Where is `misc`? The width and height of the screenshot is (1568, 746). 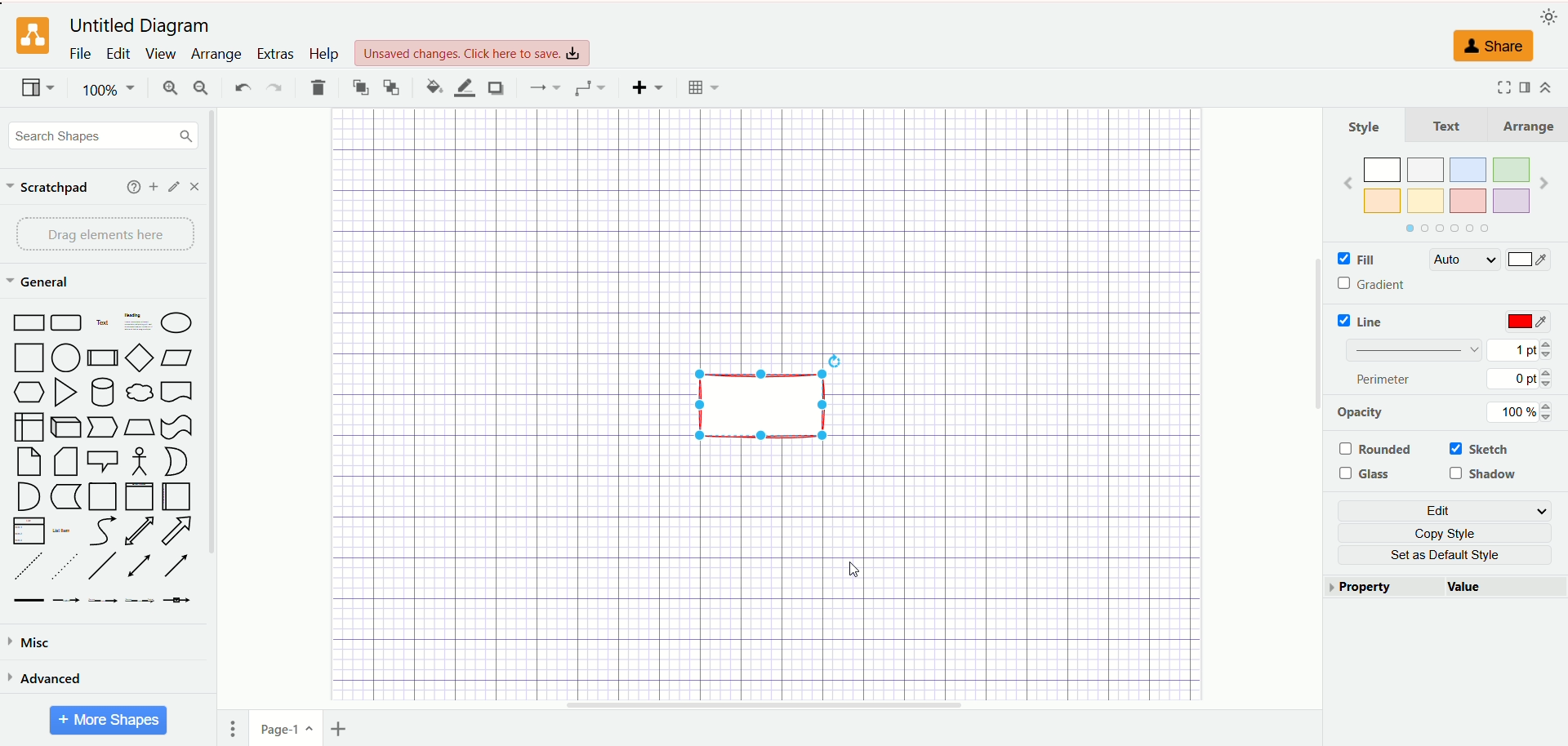 misc is located at coordinates (33, 643).